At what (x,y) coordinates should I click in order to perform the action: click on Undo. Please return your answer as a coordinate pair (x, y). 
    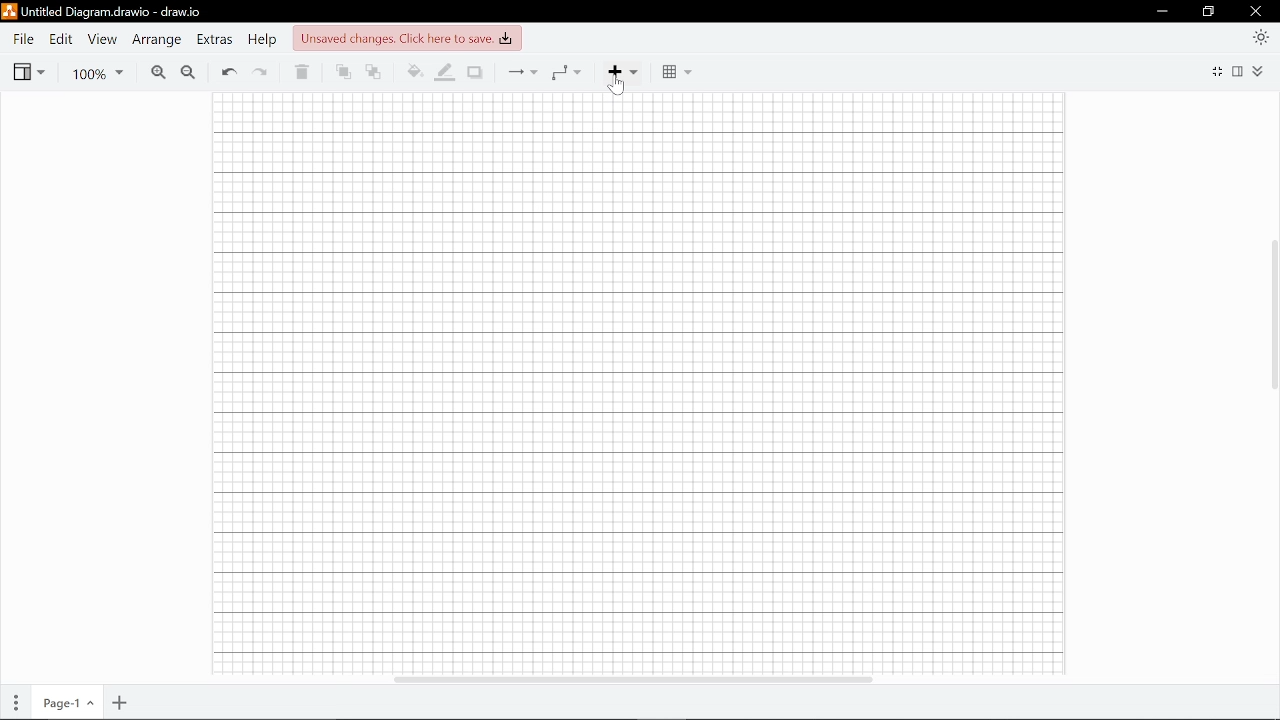
    Looking at the image, I should click on (228, 70).